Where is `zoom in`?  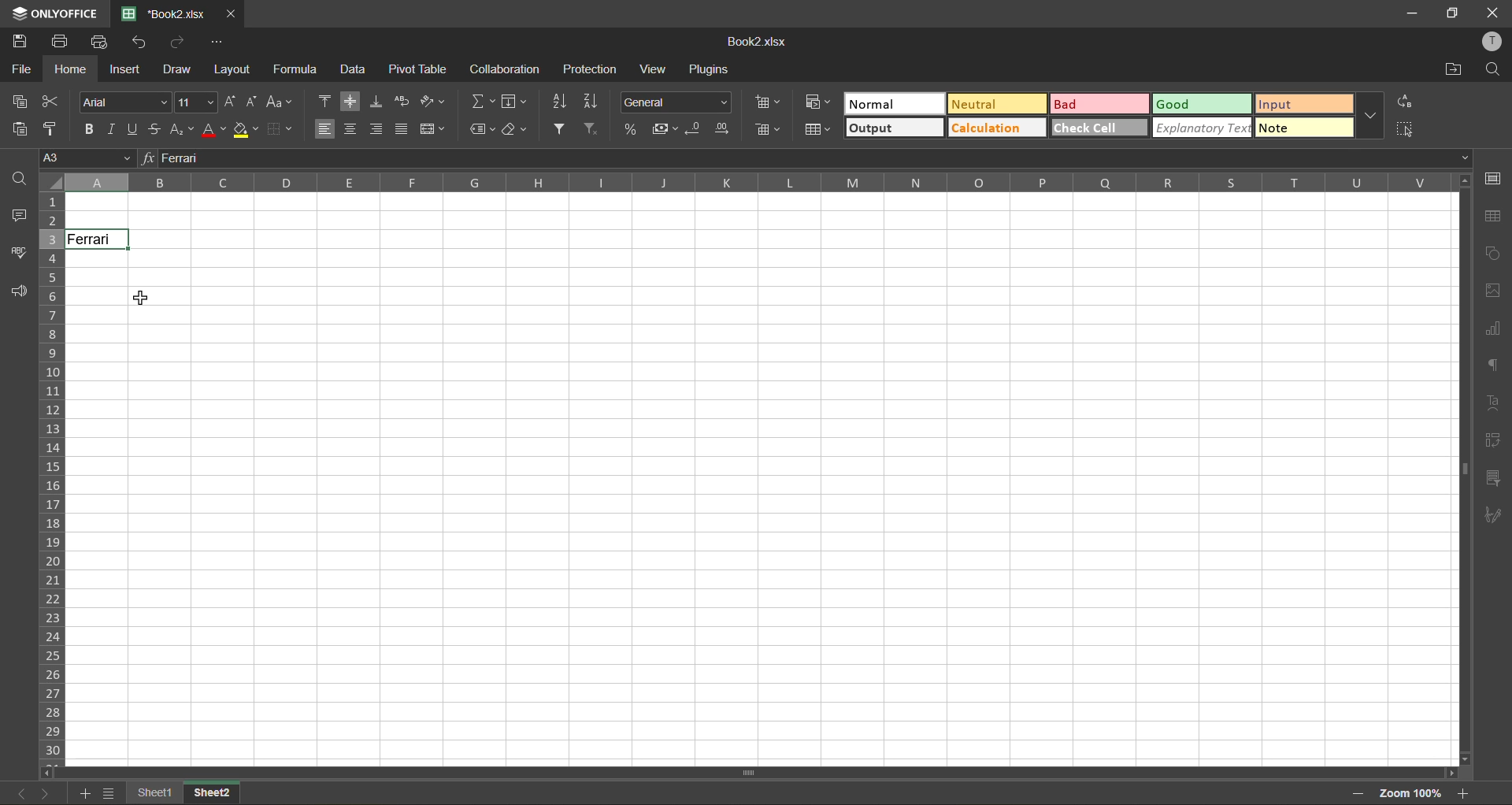 zoom in is located at coordinates (1462, 793).